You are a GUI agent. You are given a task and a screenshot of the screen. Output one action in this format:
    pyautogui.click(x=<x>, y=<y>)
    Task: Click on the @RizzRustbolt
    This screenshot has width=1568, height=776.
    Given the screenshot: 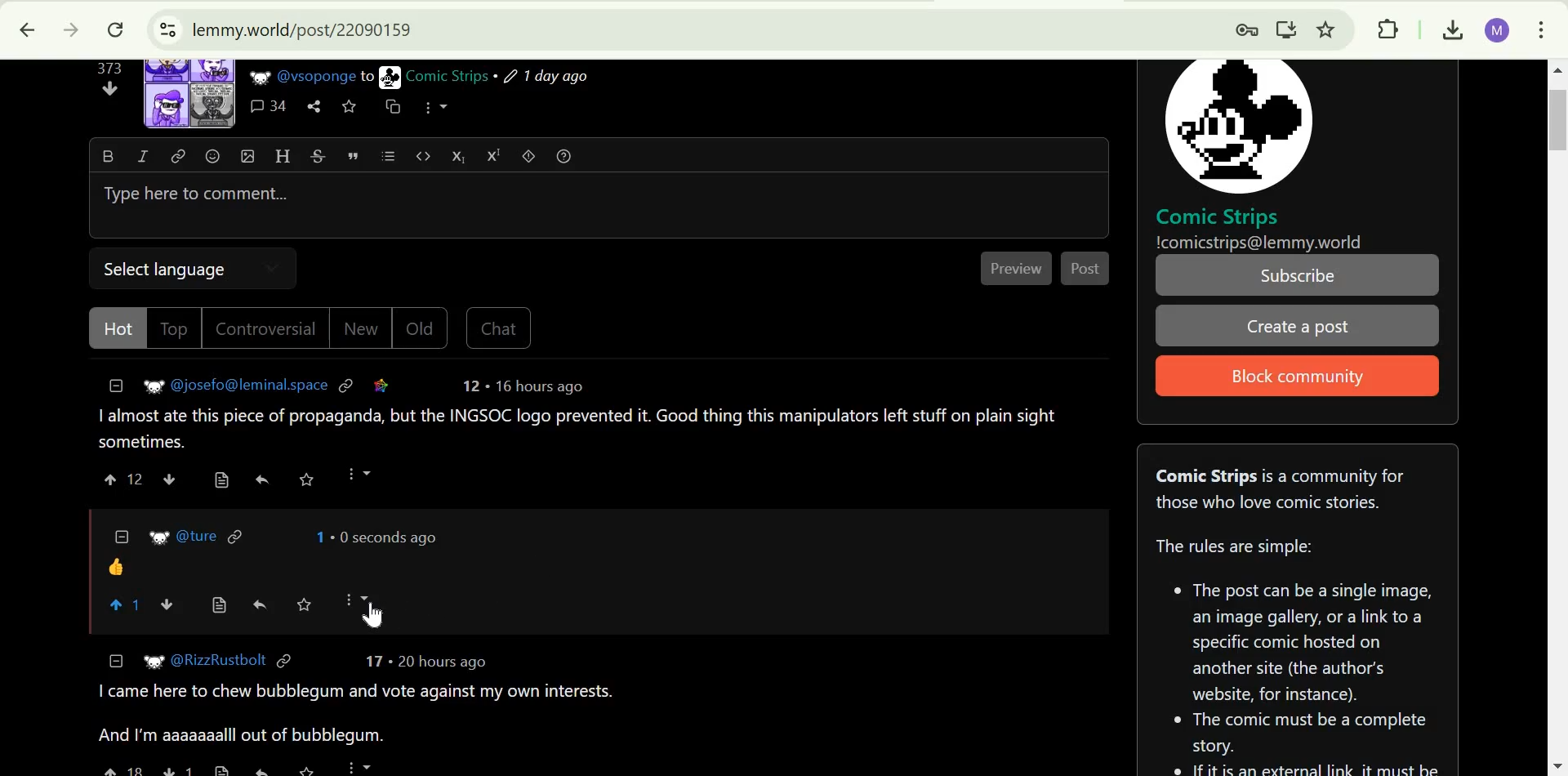 What is the action you would take?
    pyautogui.click(x=220, y=661)
    